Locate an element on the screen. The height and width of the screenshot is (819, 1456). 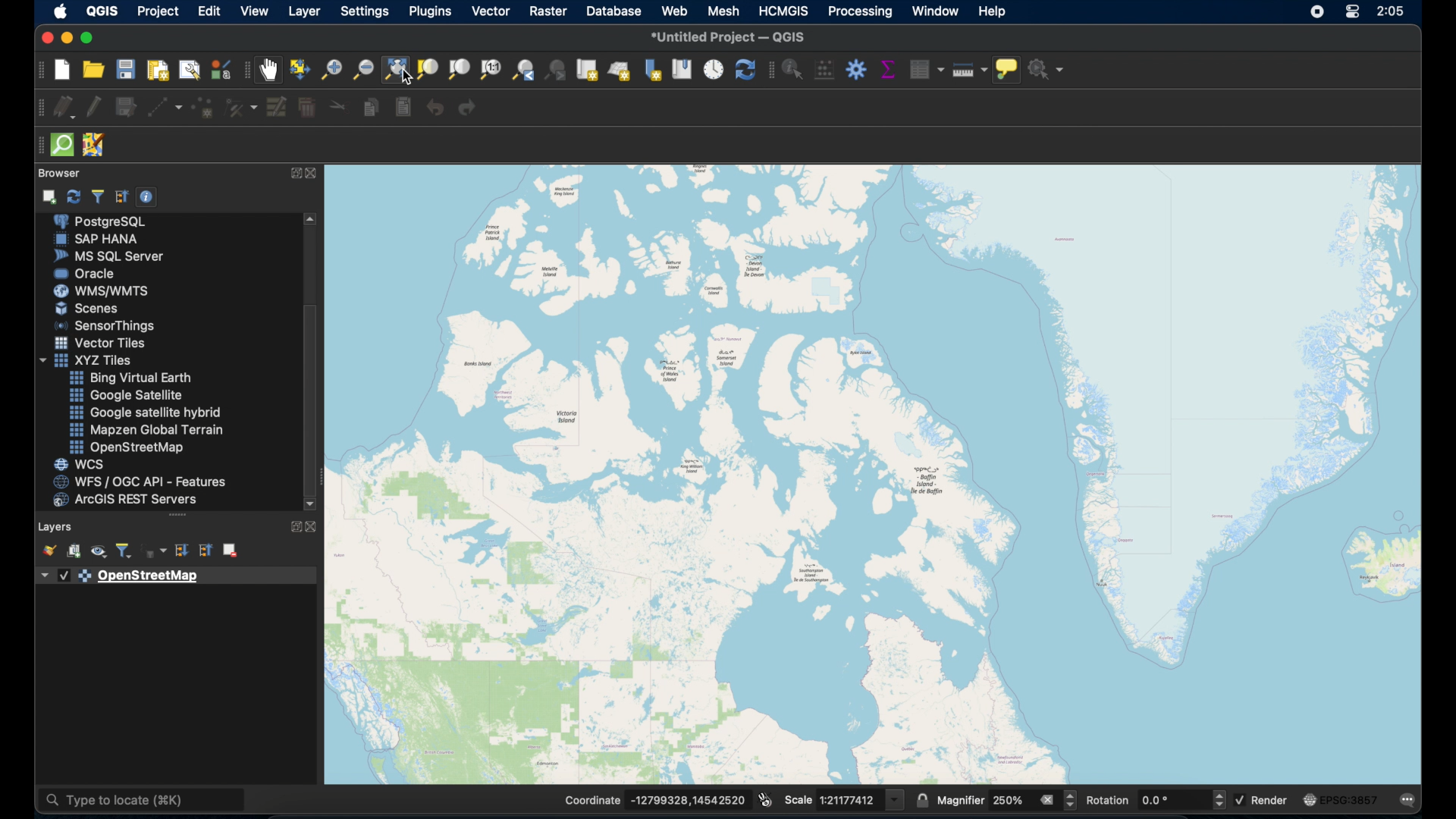
filter legend is located at coordinates (124, 550).